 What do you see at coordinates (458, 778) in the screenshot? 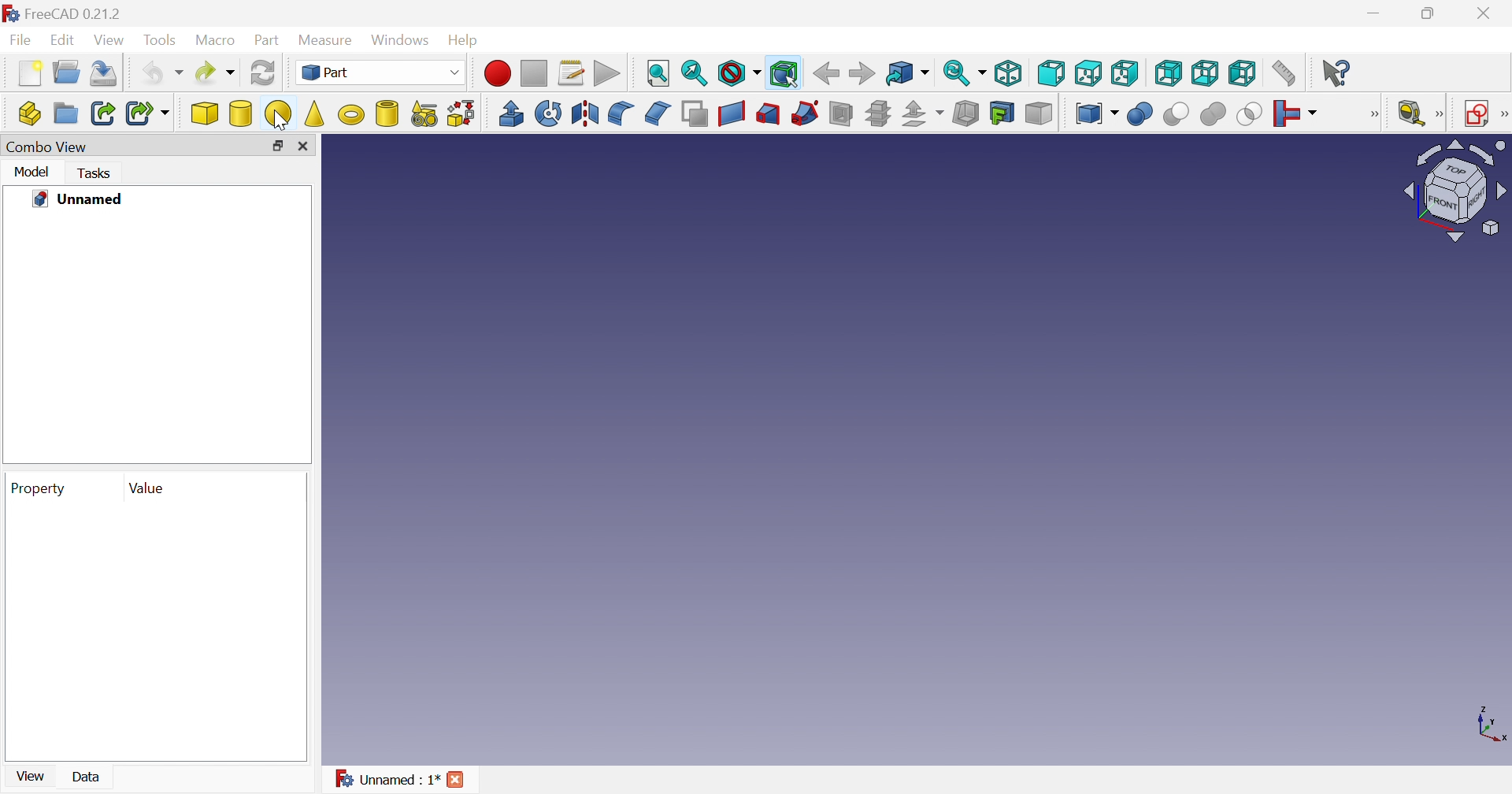
I see `Close` at bounding box center [458, 778].